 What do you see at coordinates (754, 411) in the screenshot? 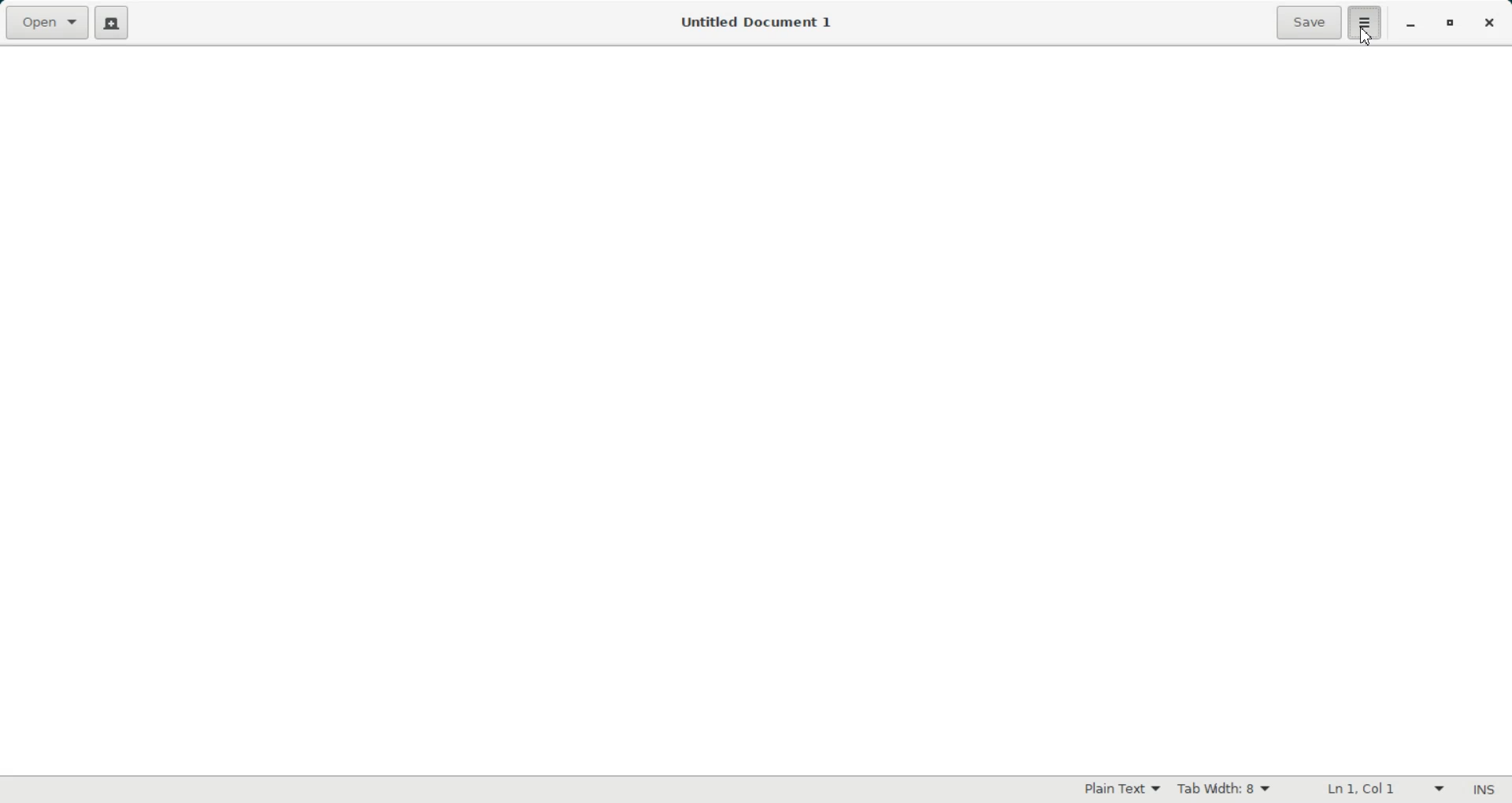
I see `Text Entry Pane` at bounding box center [754, 411].